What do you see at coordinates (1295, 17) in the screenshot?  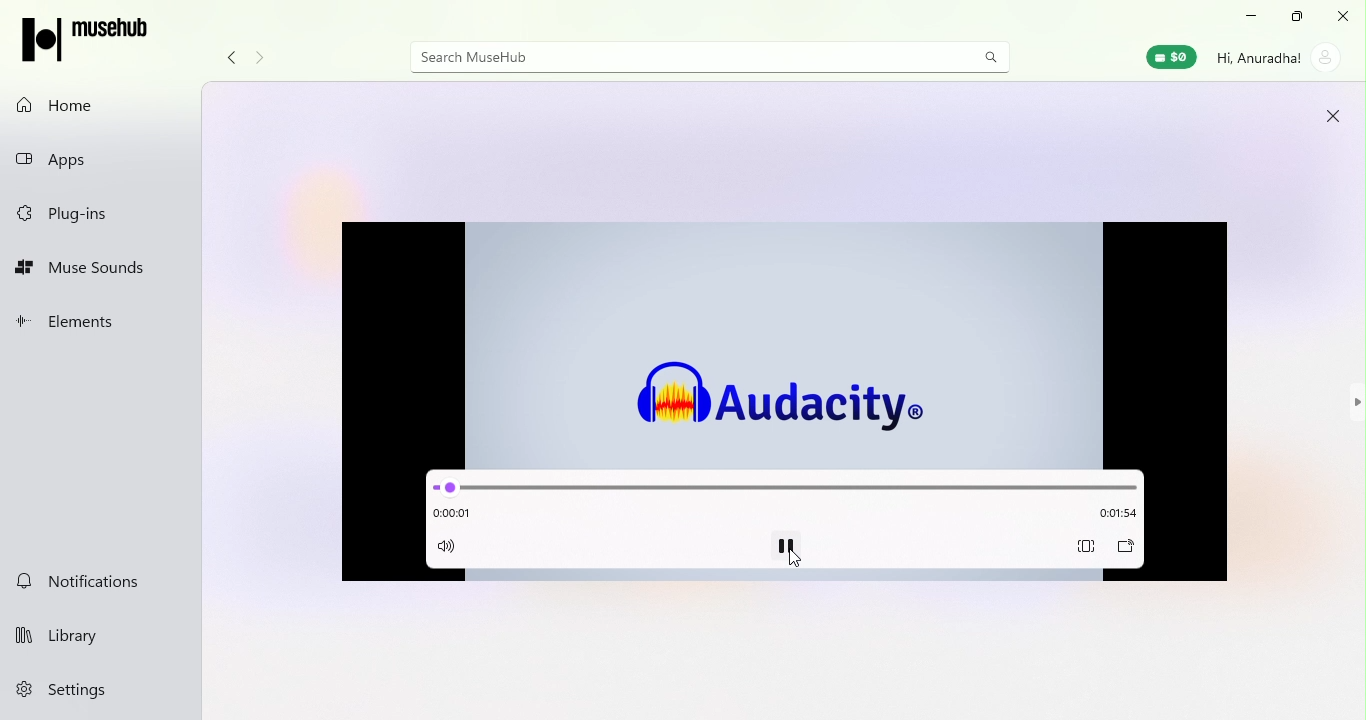 I see `Maximize` at bounding box center [1295, 17].